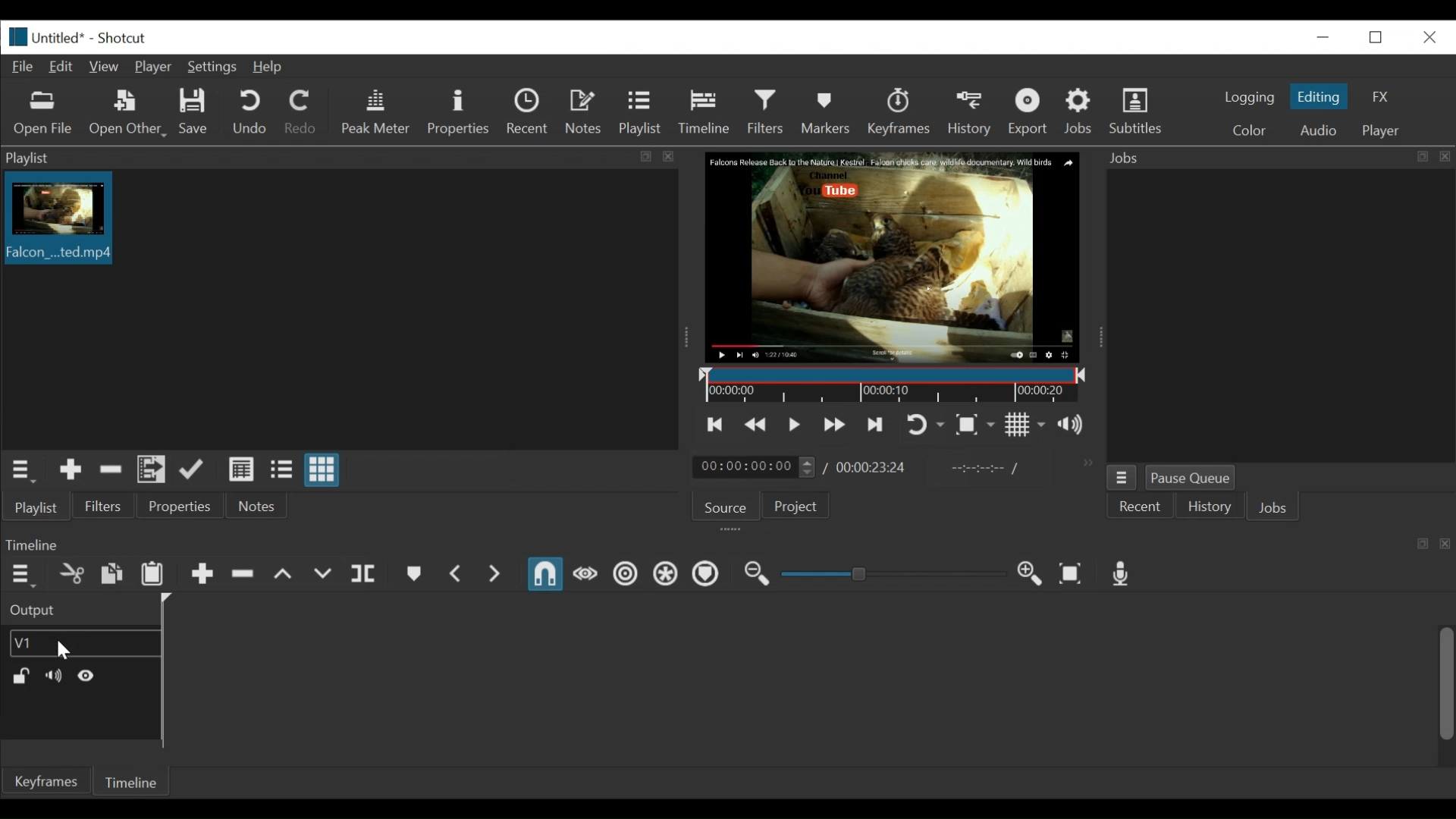 The width and height of the screenshot is (1456, 819). What do you see at coordinates (755, 574) in the screenshot?
I see `Zoom timeline out` at bounding box center [755, 574].